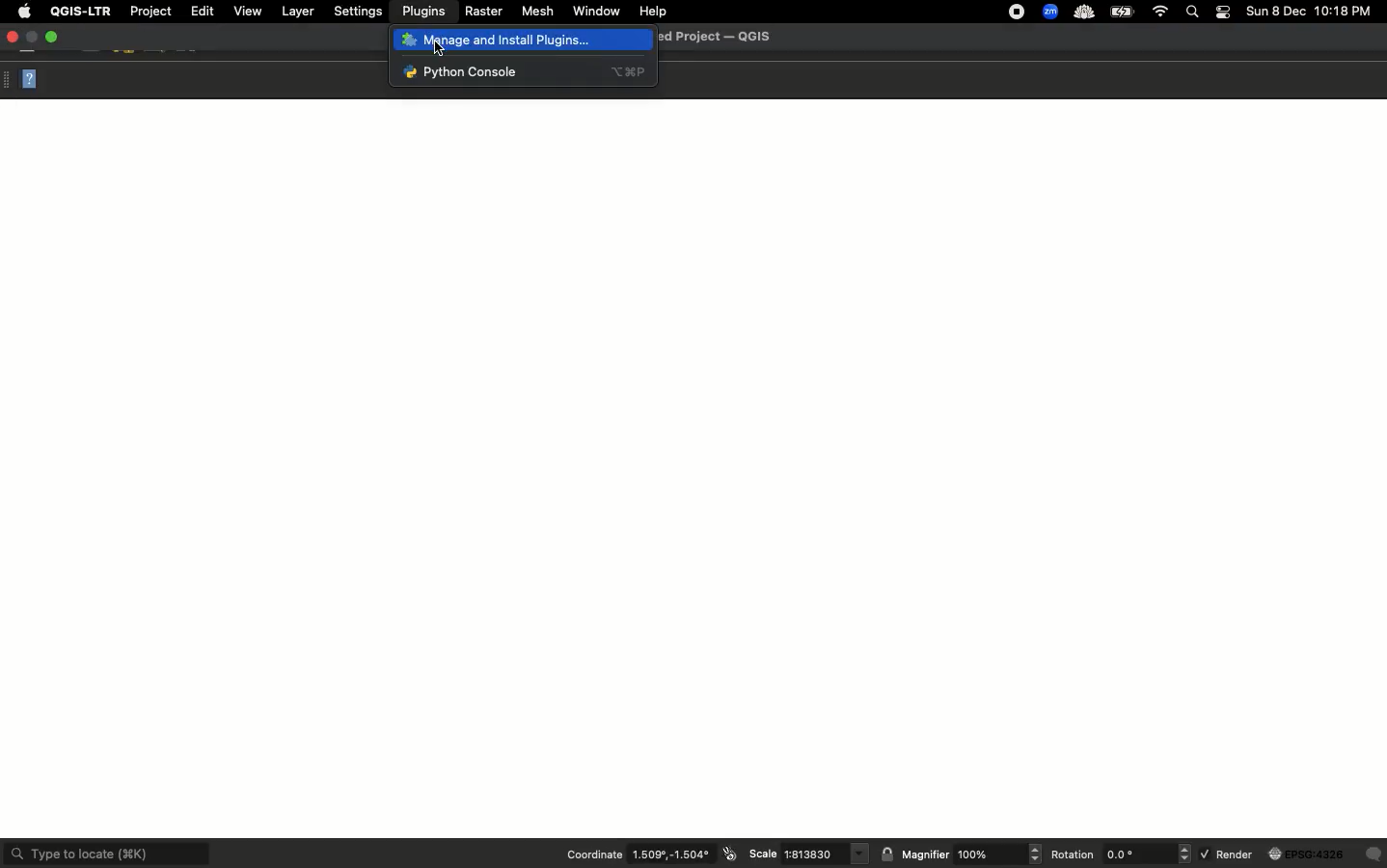 This screenshot has height=868, width=1387. What do you see at coordinates (805, 854) in the screenshot?
I see `Scale` at bounding box center [805, 854].